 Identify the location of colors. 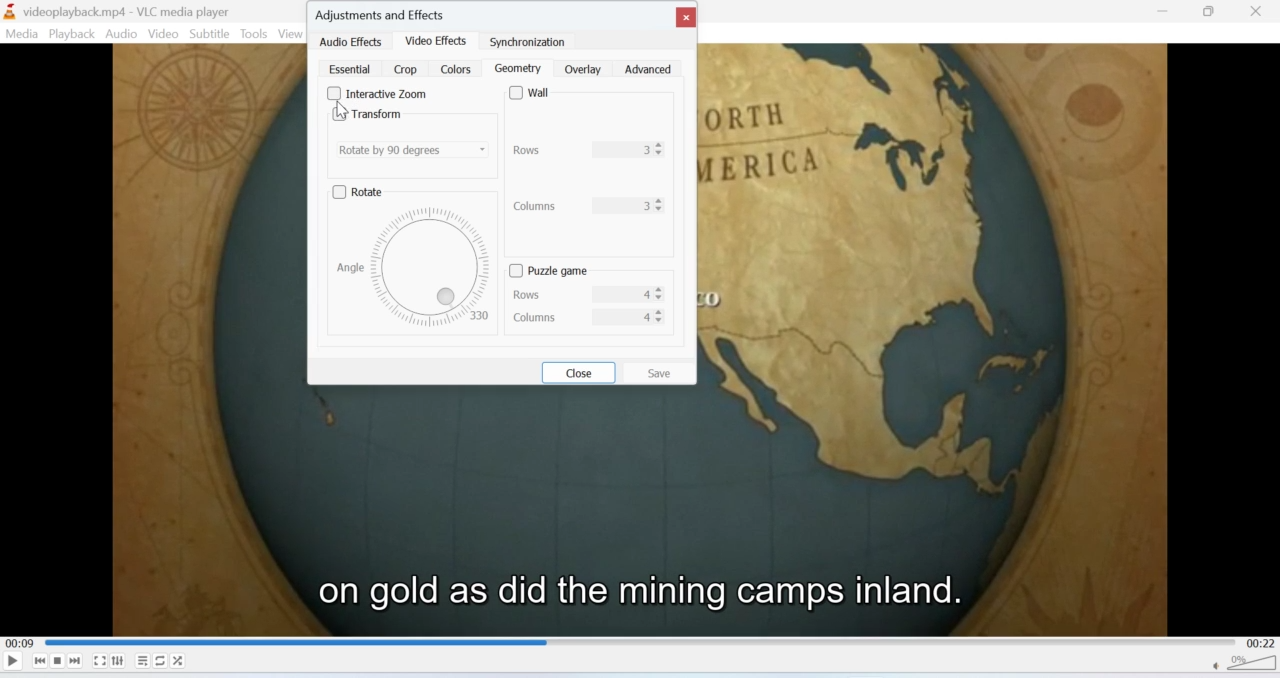
(455, 69).